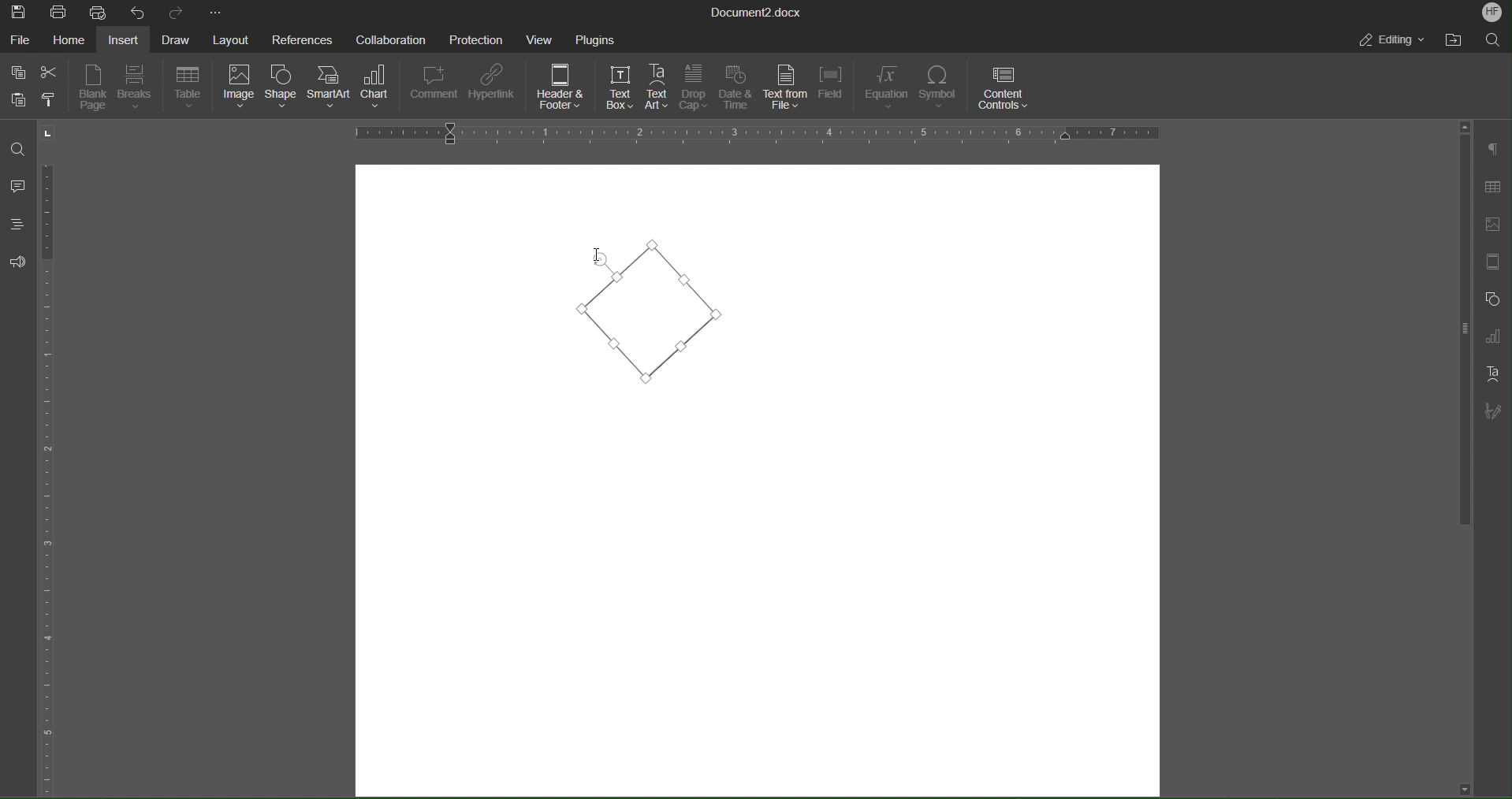  Describe the element at coordinates (16, 224) in the screenshot. I see `Headings` at that location.